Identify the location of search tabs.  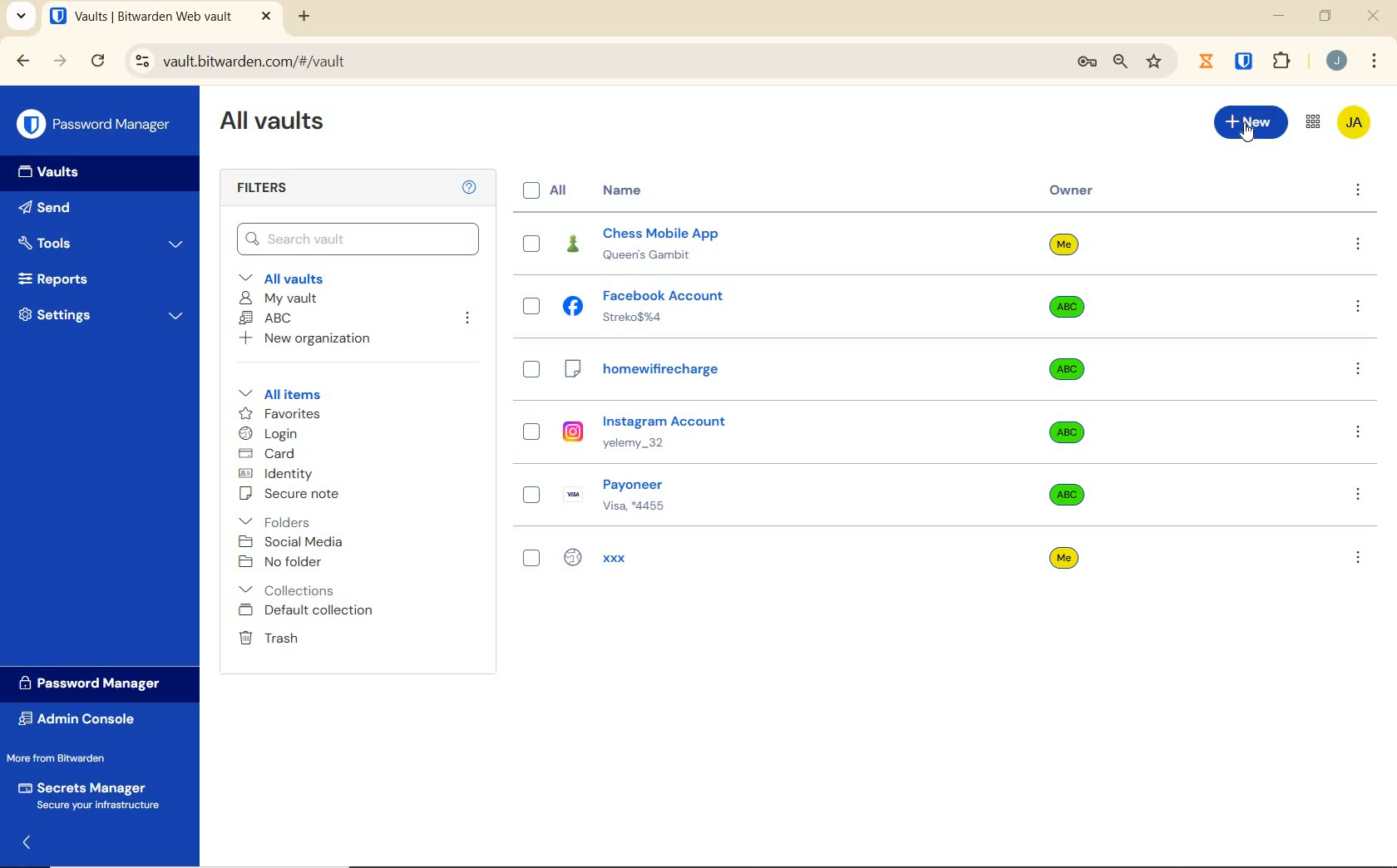
(21, 16).